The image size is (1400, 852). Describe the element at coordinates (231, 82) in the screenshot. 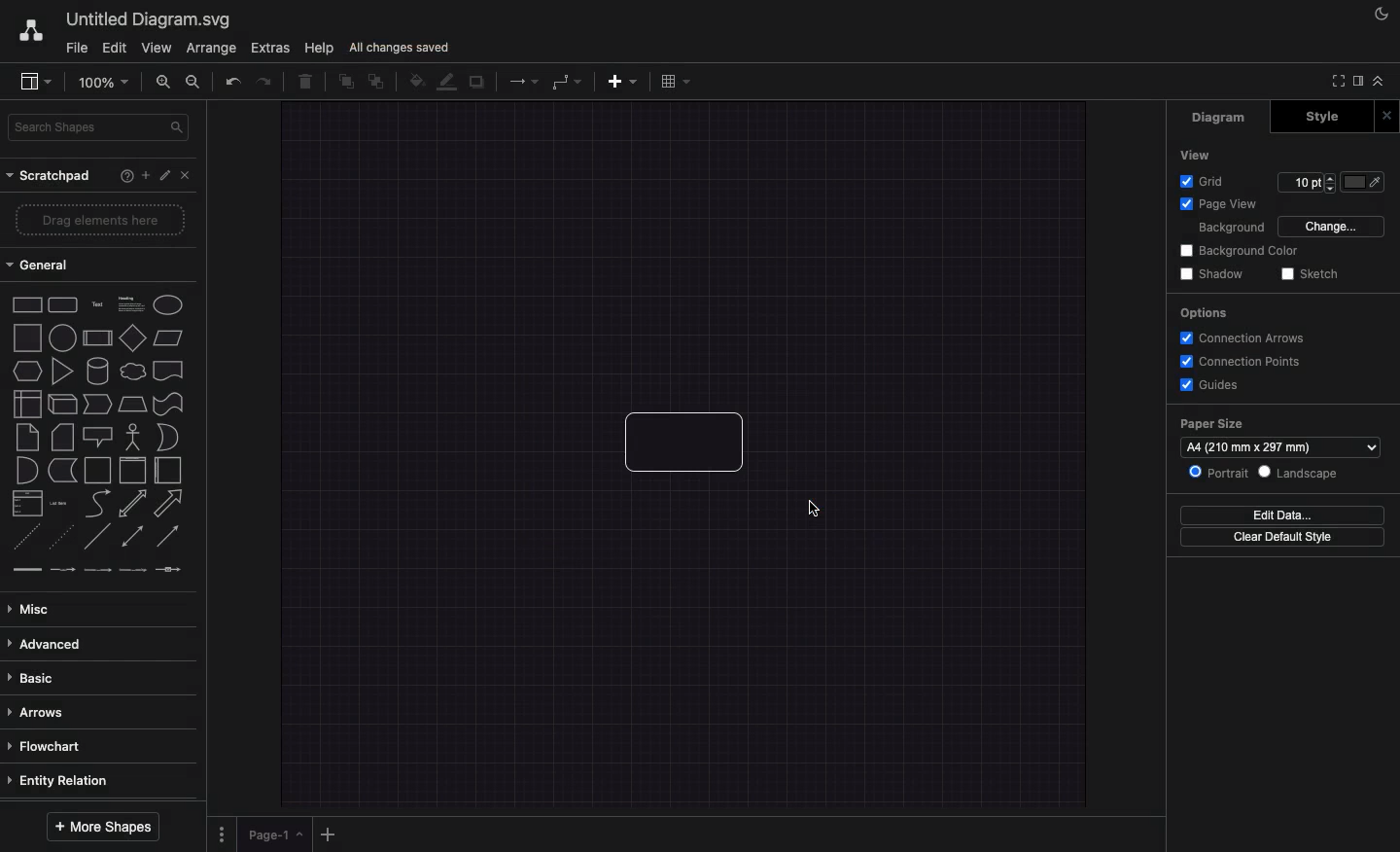

I see `Undo` at that location.